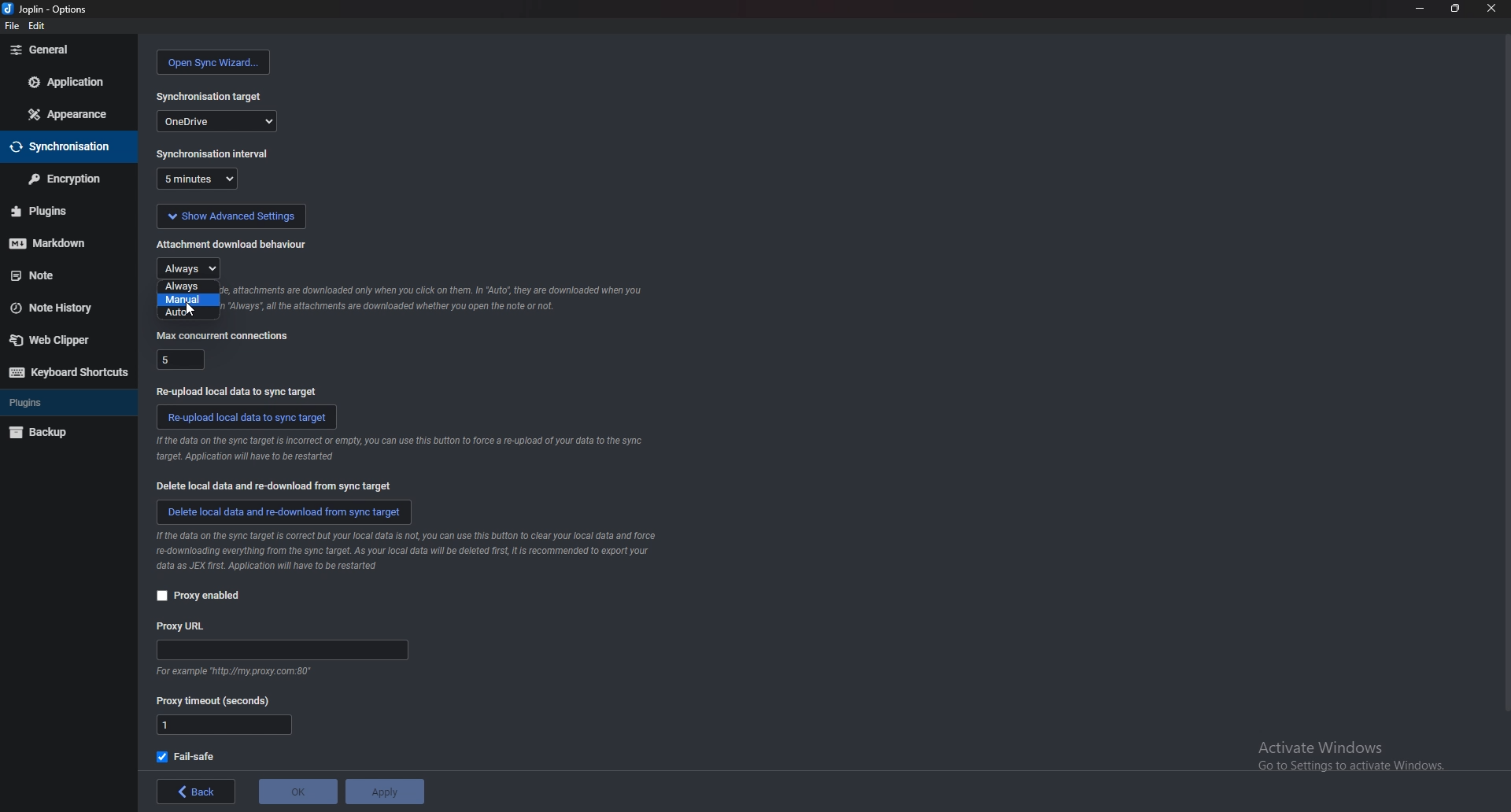 The image size is (1511, 812). What do you see at coordinates (231, 244) in the screenshot?
I see `attachment download behaviour` at bounding box center [231, 244].